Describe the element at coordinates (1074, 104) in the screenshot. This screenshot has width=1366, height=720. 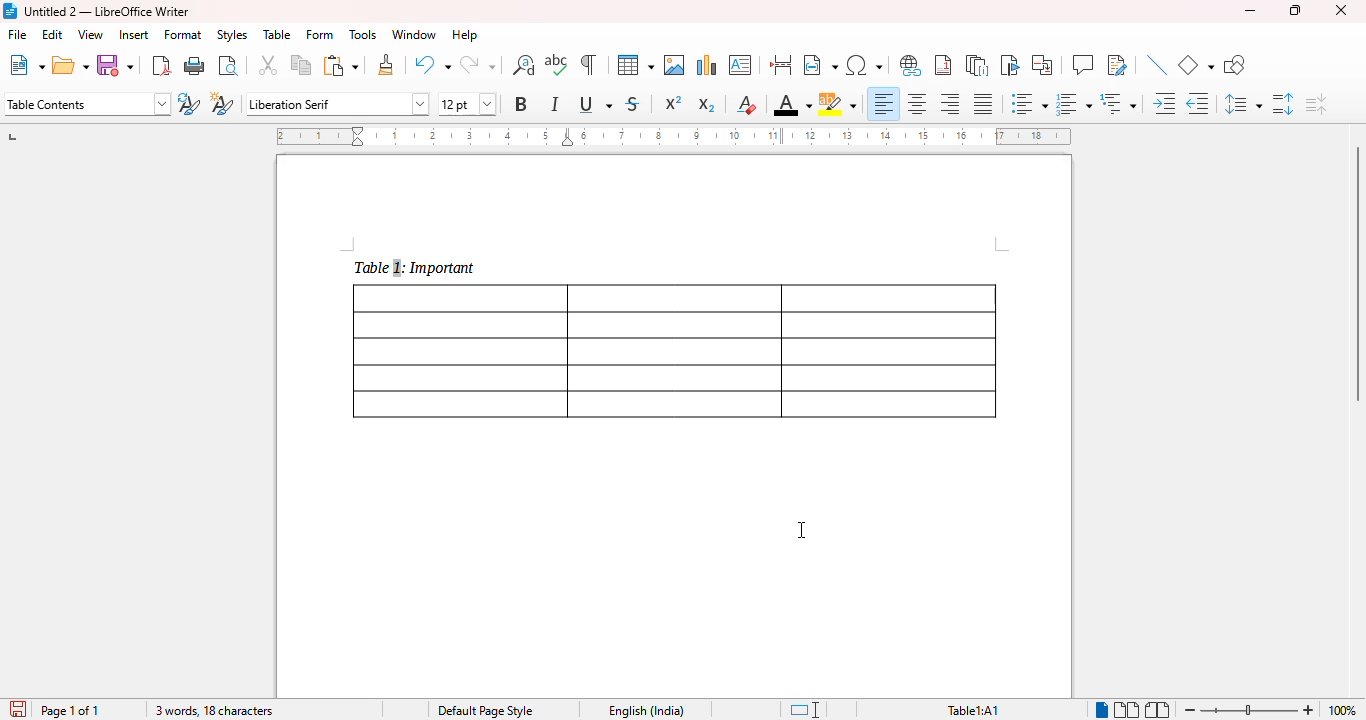
I see `toggle ordered list` at that location.